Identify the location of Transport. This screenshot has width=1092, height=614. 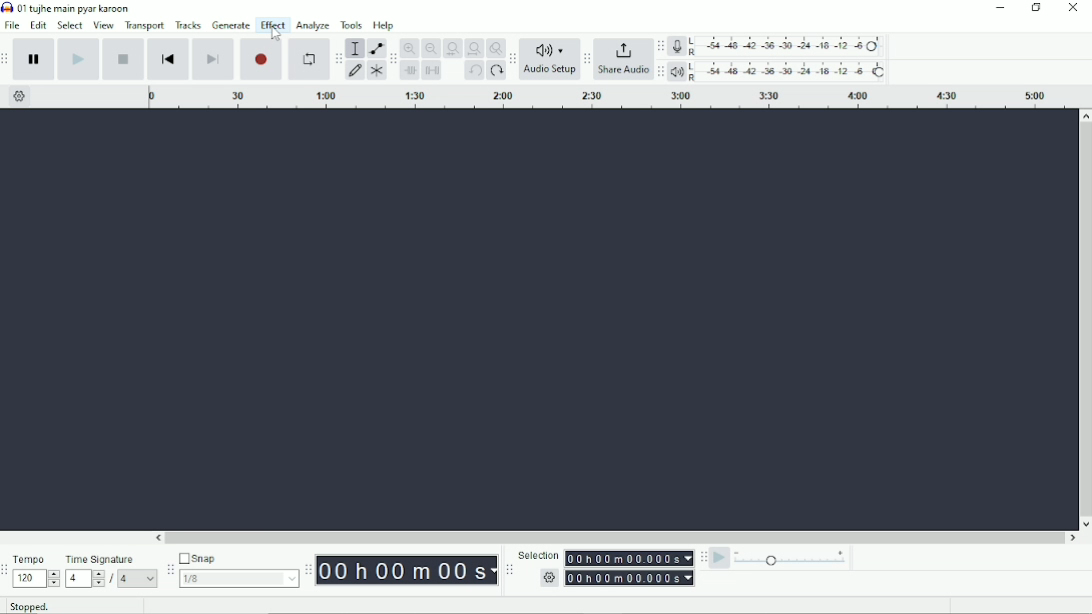
(143, 26).